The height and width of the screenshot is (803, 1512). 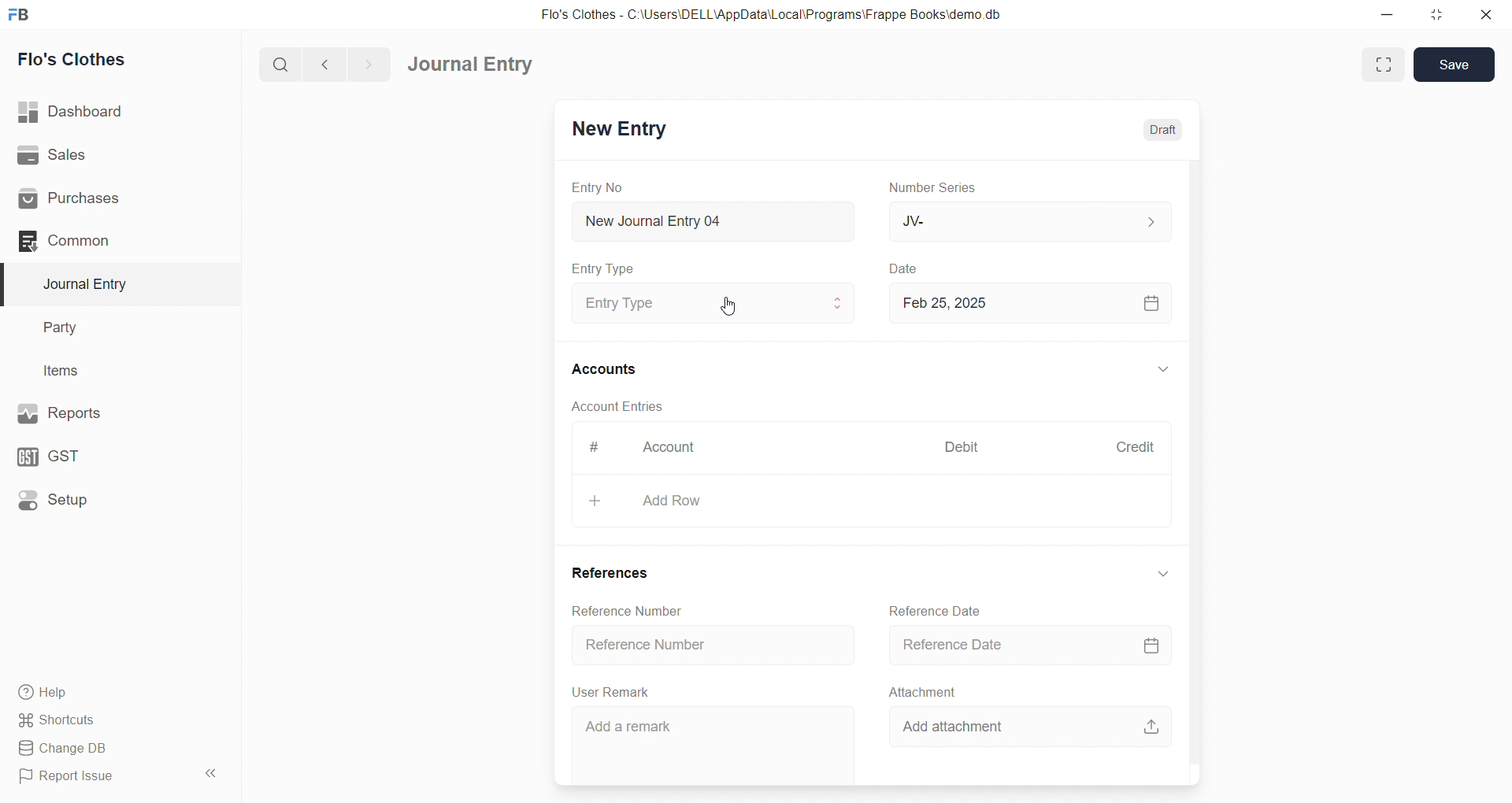 I want to click on Feb 25, 2025, so click(x=1027, y=302).